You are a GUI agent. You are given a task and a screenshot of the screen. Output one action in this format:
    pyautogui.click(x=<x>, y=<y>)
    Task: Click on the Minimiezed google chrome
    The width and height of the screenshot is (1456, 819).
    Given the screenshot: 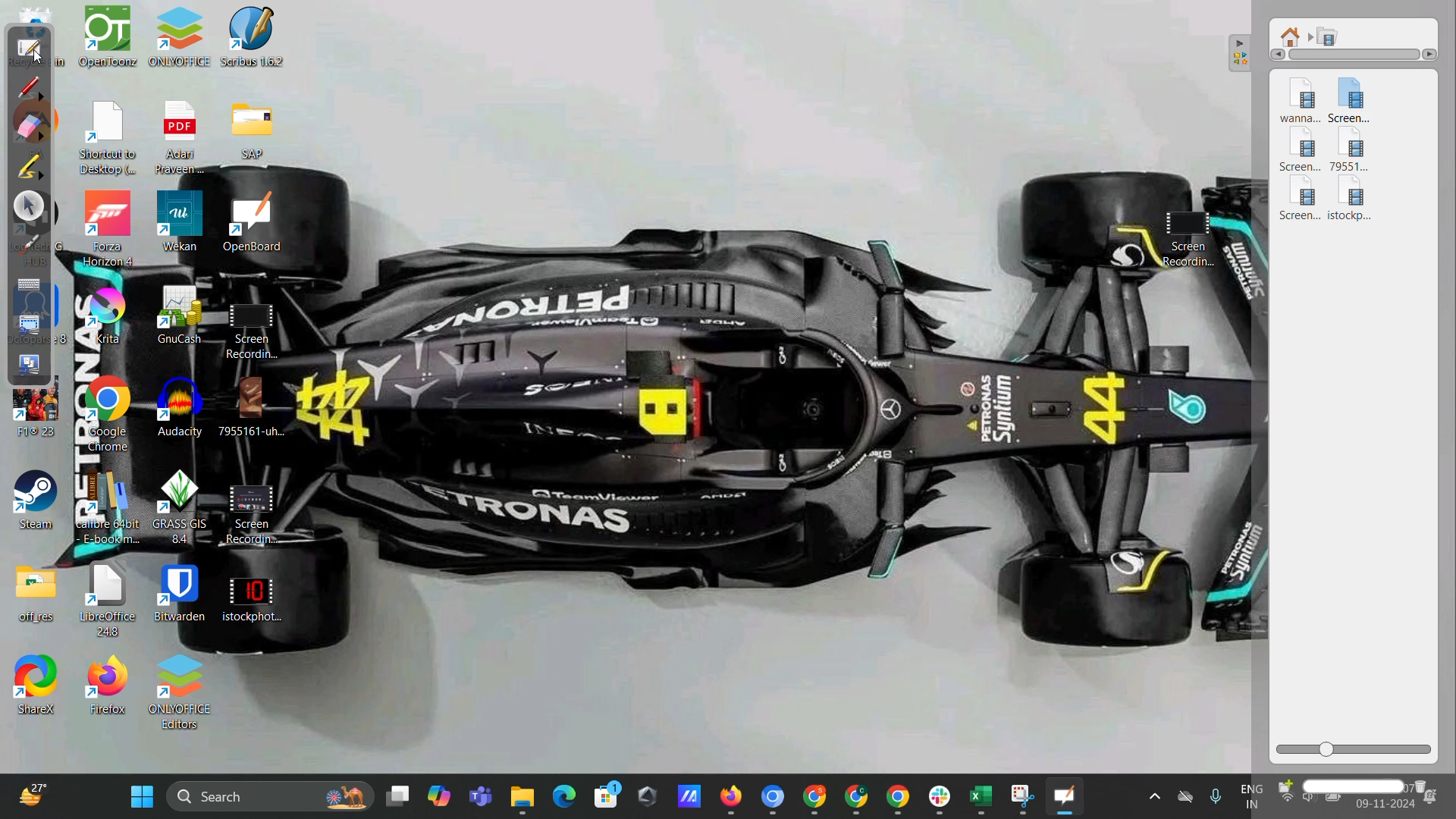 What is the action you would take?
    pyautogui.click(x=900, y=797)
    